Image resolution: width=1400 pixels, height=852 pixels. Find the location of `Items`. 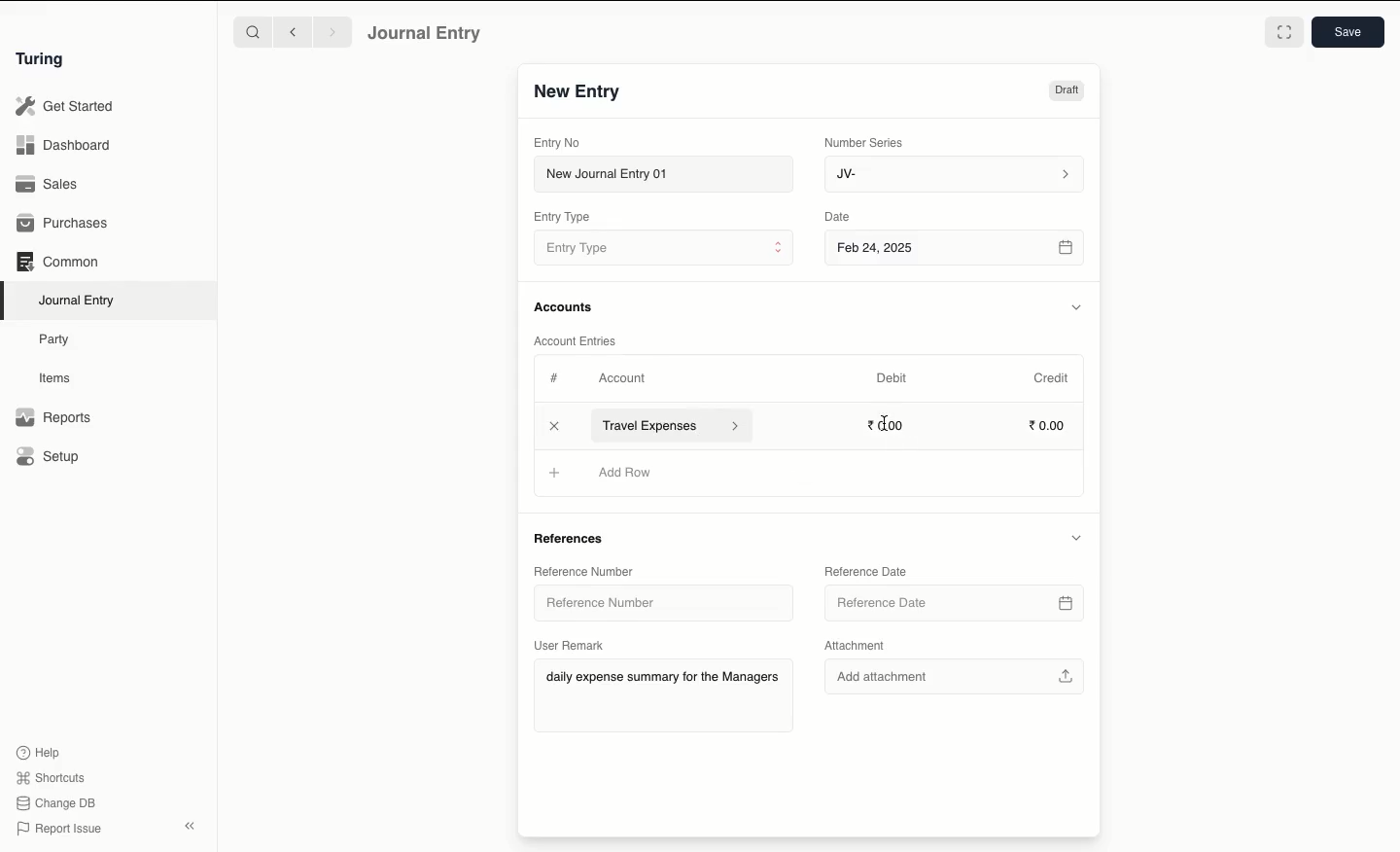

Items is located at coordinates (55, 377).